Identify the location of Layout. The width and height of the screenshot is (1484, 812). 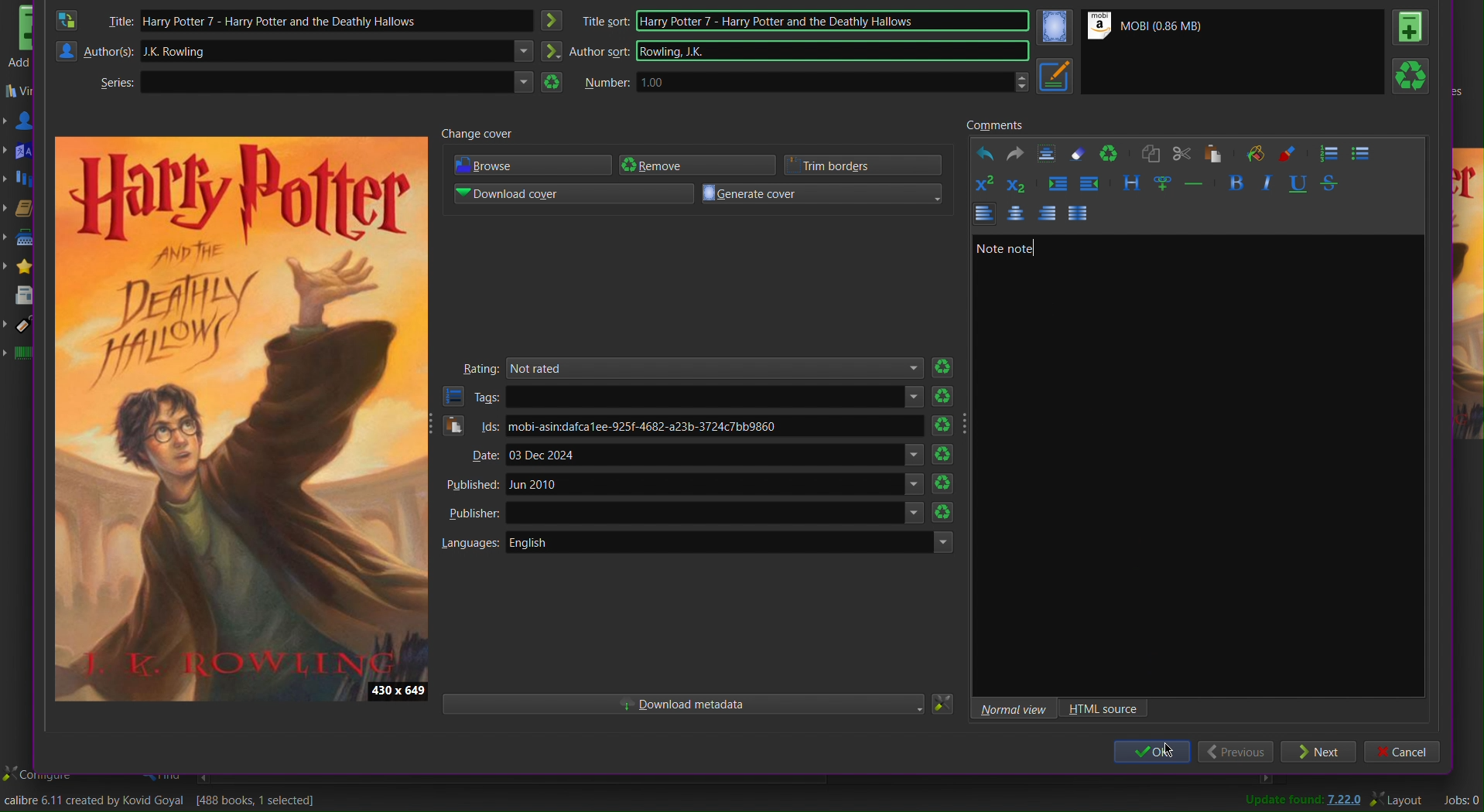
(1398, 800).